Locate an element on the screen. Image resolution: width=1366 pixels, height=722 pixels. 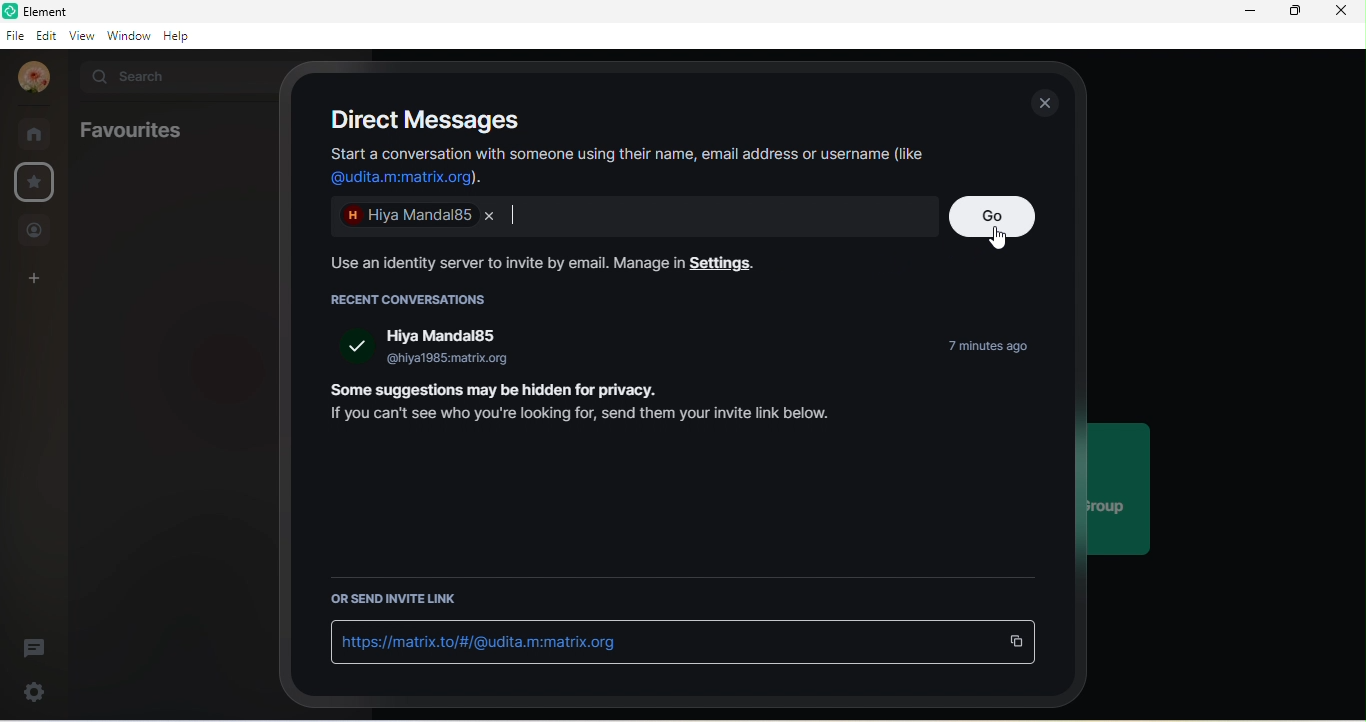
create a space is located at coordinates (35, 279).